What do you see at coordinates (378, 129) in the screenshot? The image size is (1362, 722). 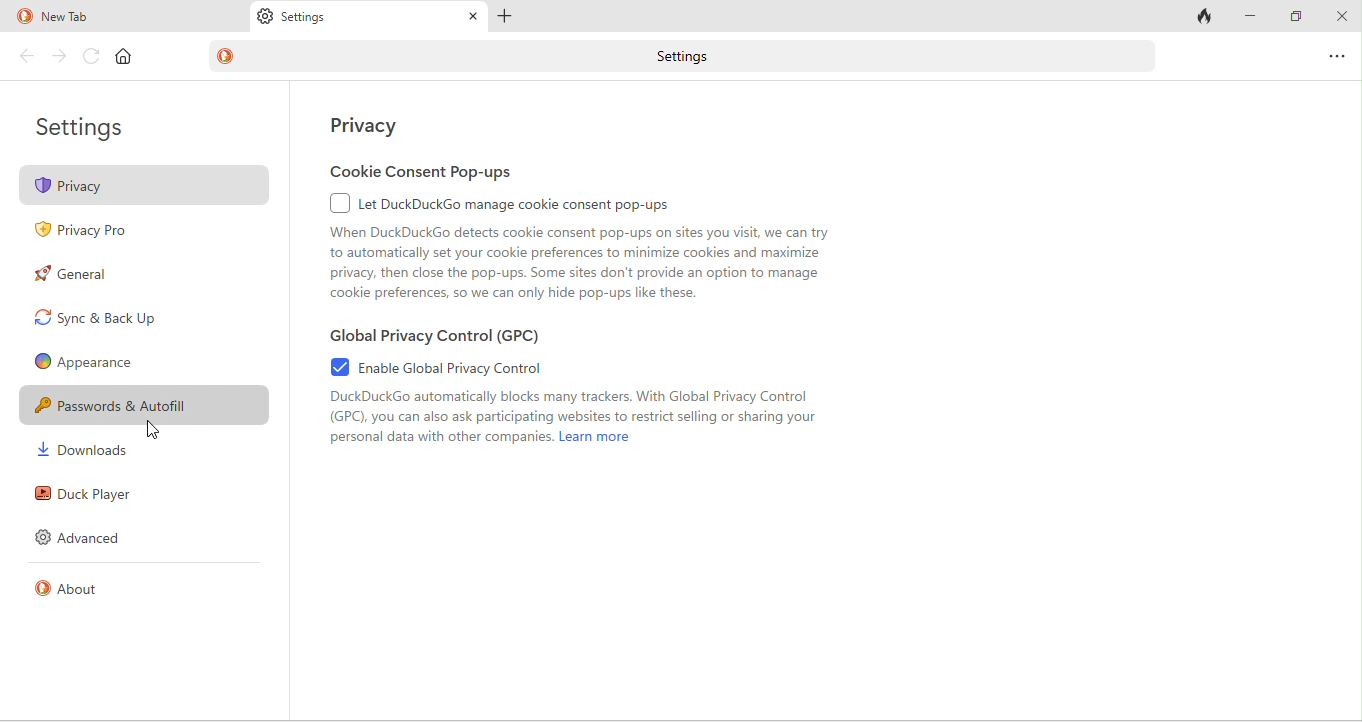 I see `privacy` at bounding box center [378, 129].